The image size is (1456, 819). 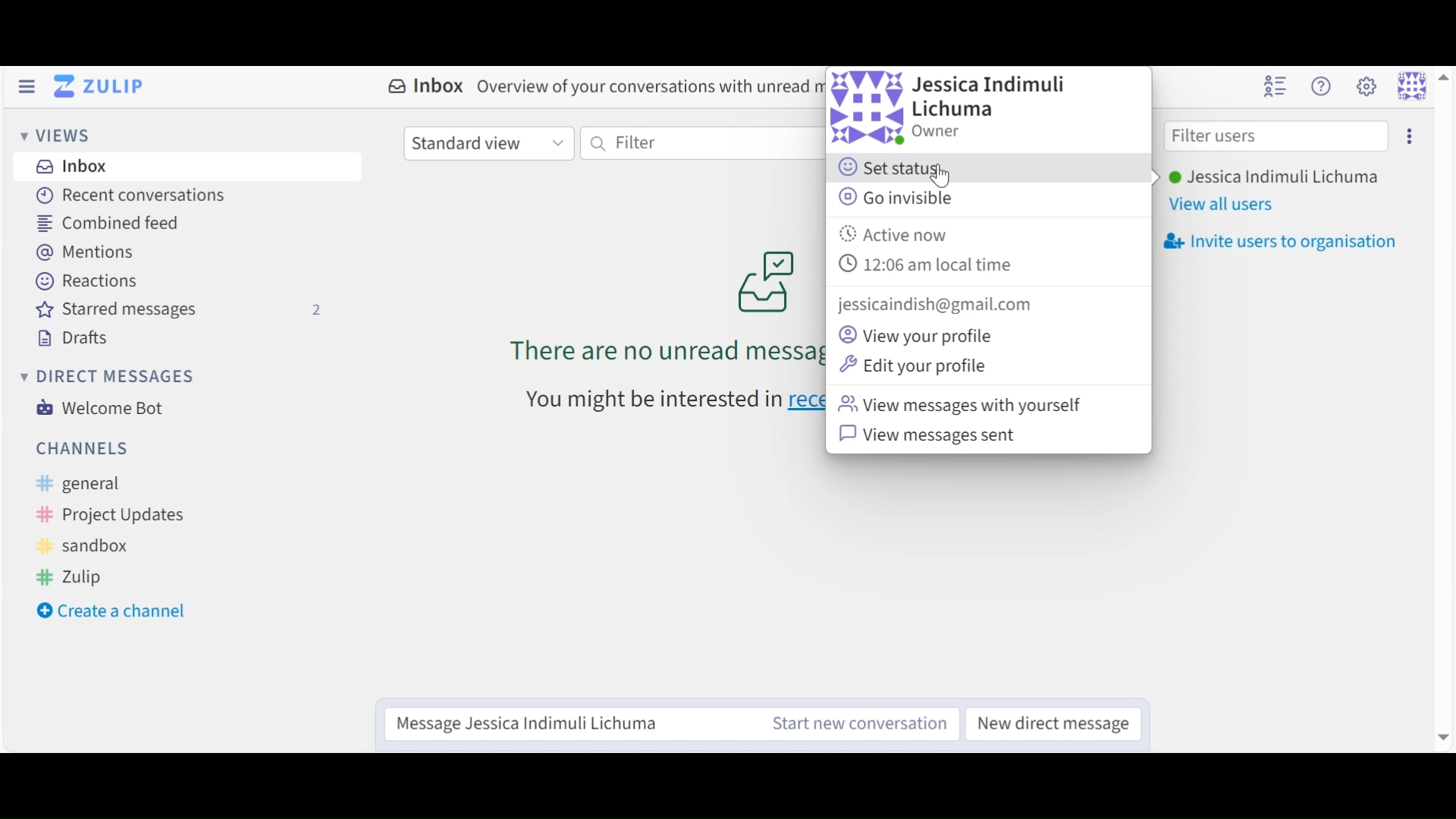 What do you see at coordinates (1443, 76) in the screenshot?
I see `Up` at bounding box center [1443, 76].